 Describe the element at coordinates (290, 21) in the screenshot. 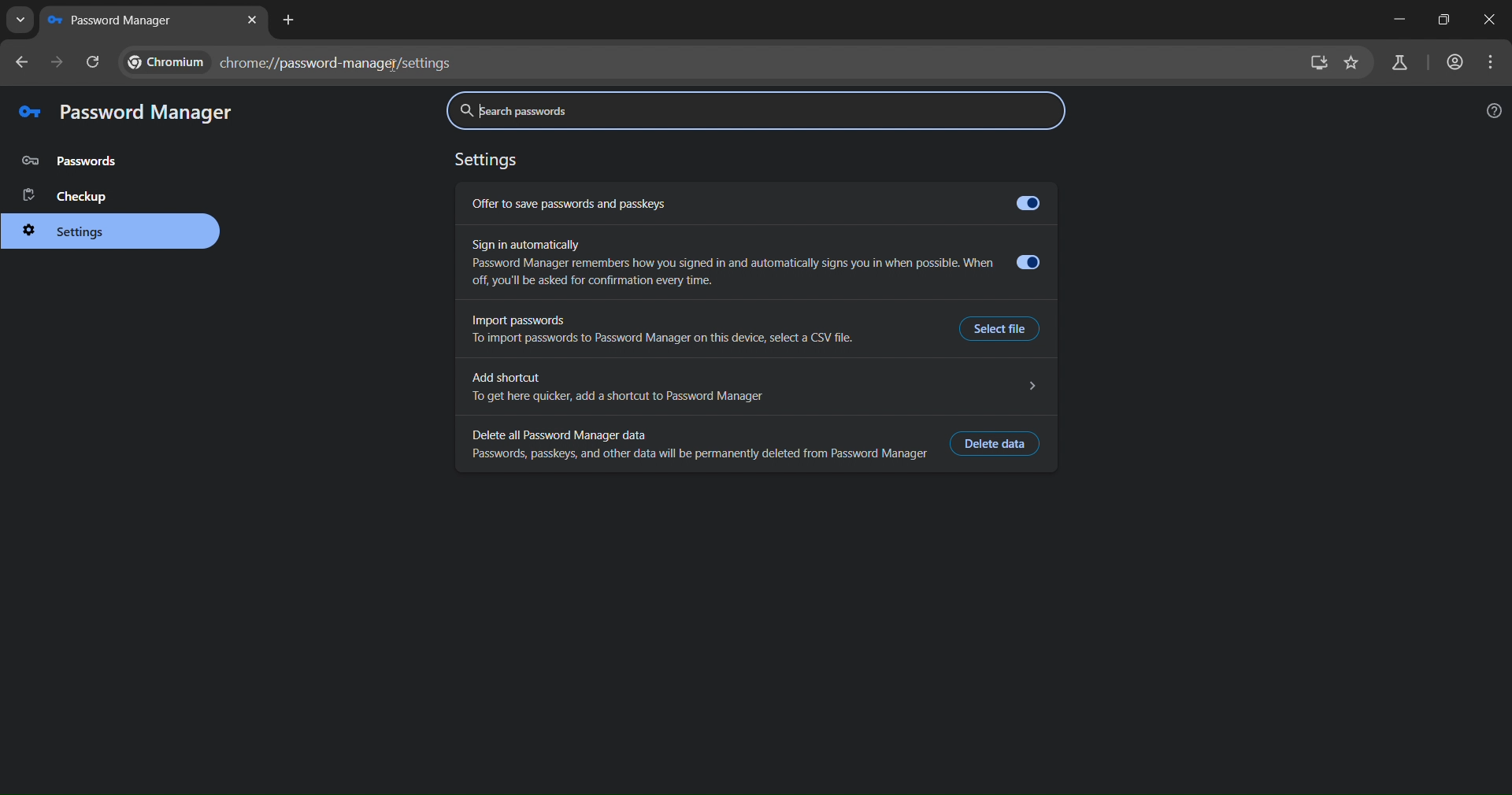

I see `new tab` at that location.